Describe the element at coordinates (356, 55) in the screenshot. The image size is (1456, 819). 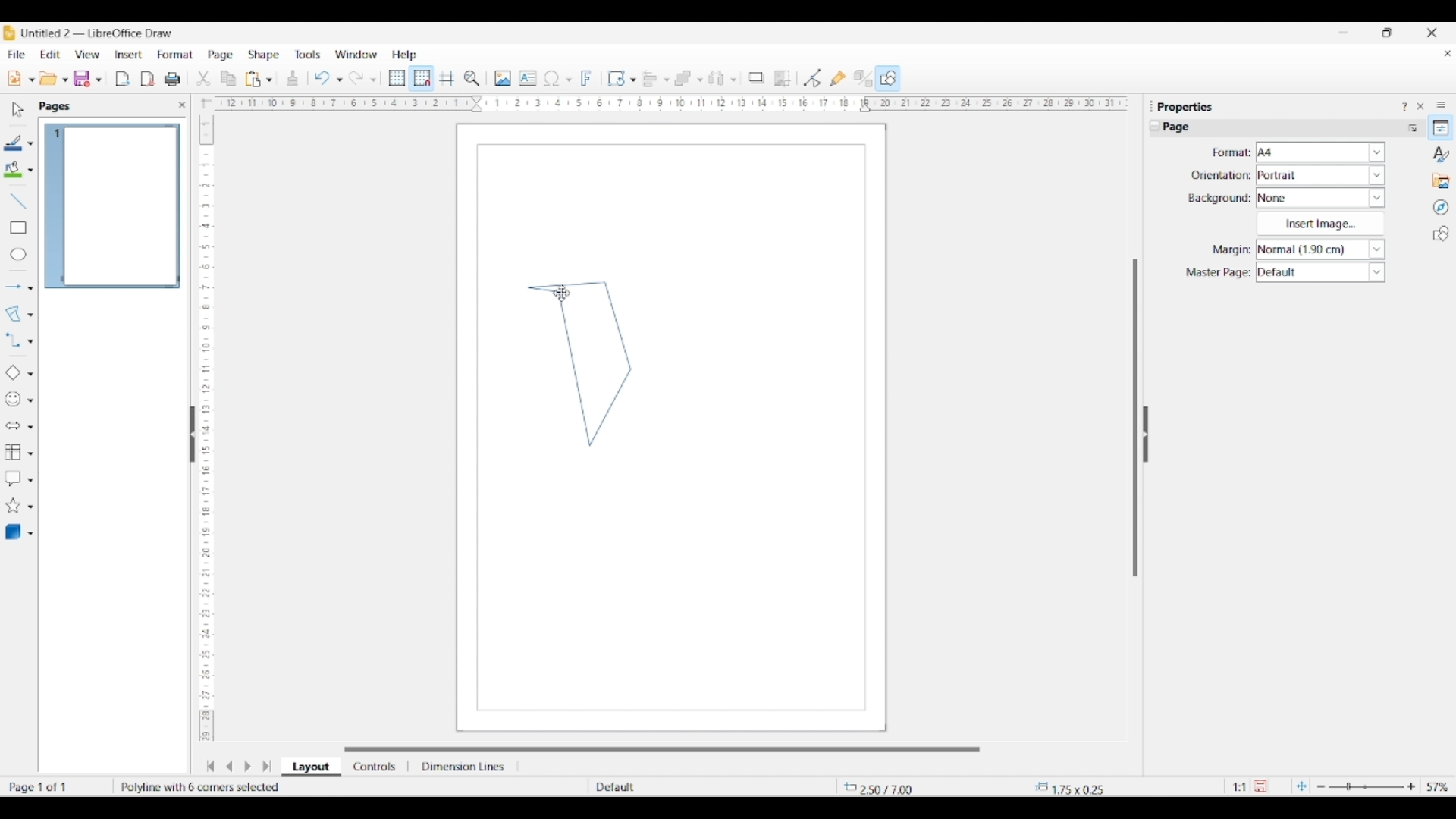
I see `Window` at that location.